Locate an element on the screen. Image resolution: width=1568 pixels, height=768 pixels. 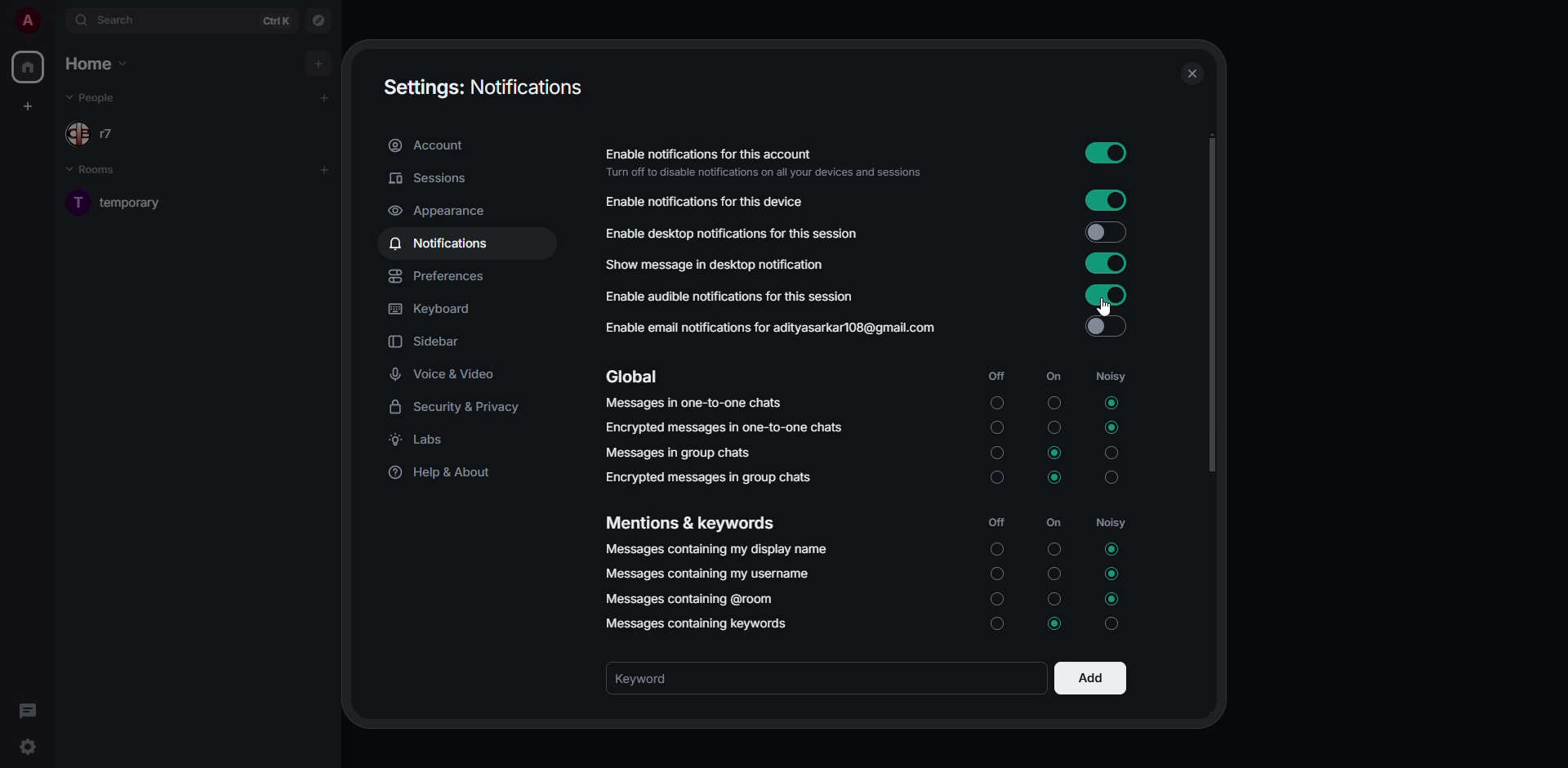
off is located at coordinates (1001, 378).